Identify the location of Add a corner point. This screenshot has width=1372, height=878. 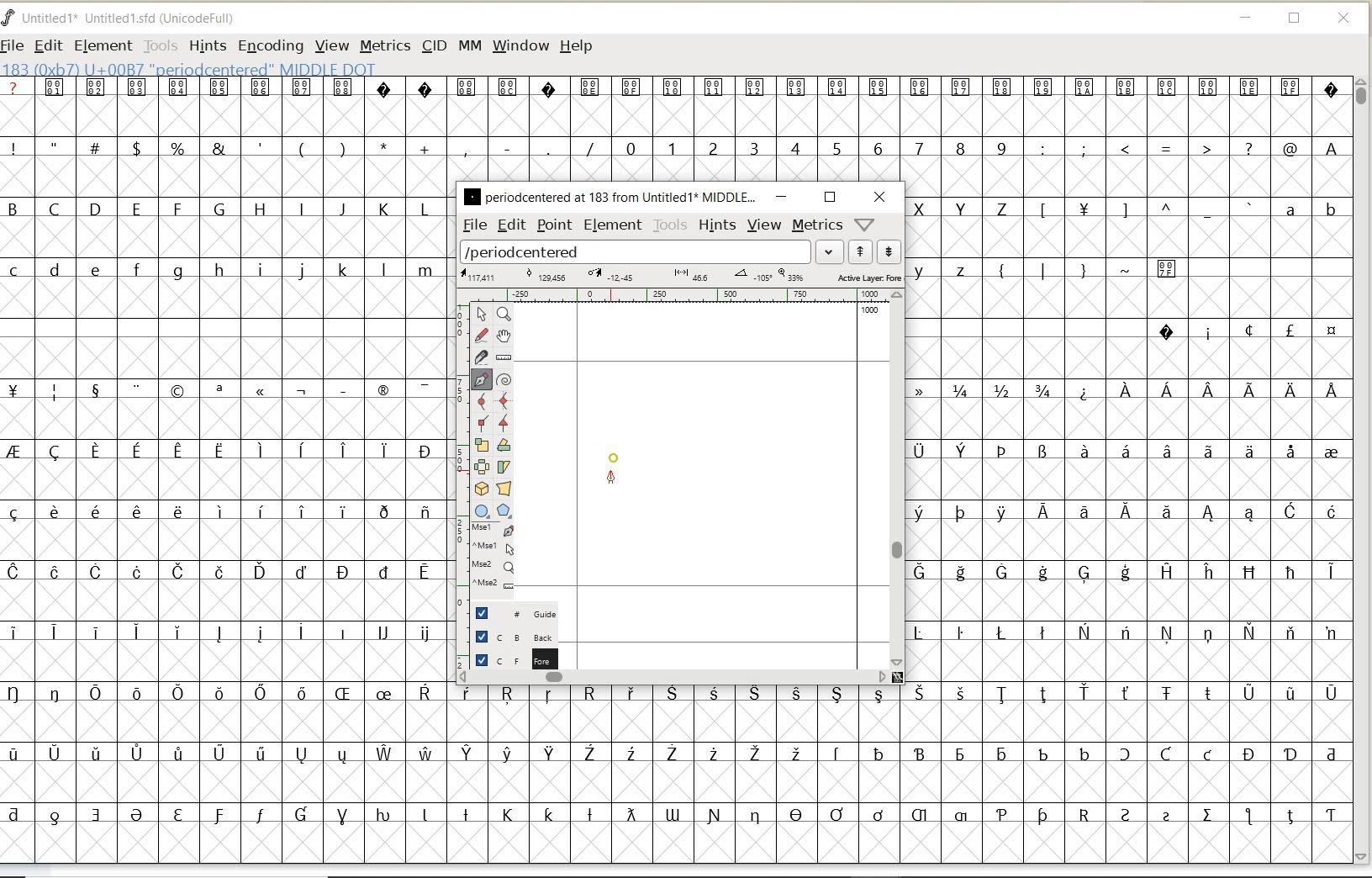
(504, 421).